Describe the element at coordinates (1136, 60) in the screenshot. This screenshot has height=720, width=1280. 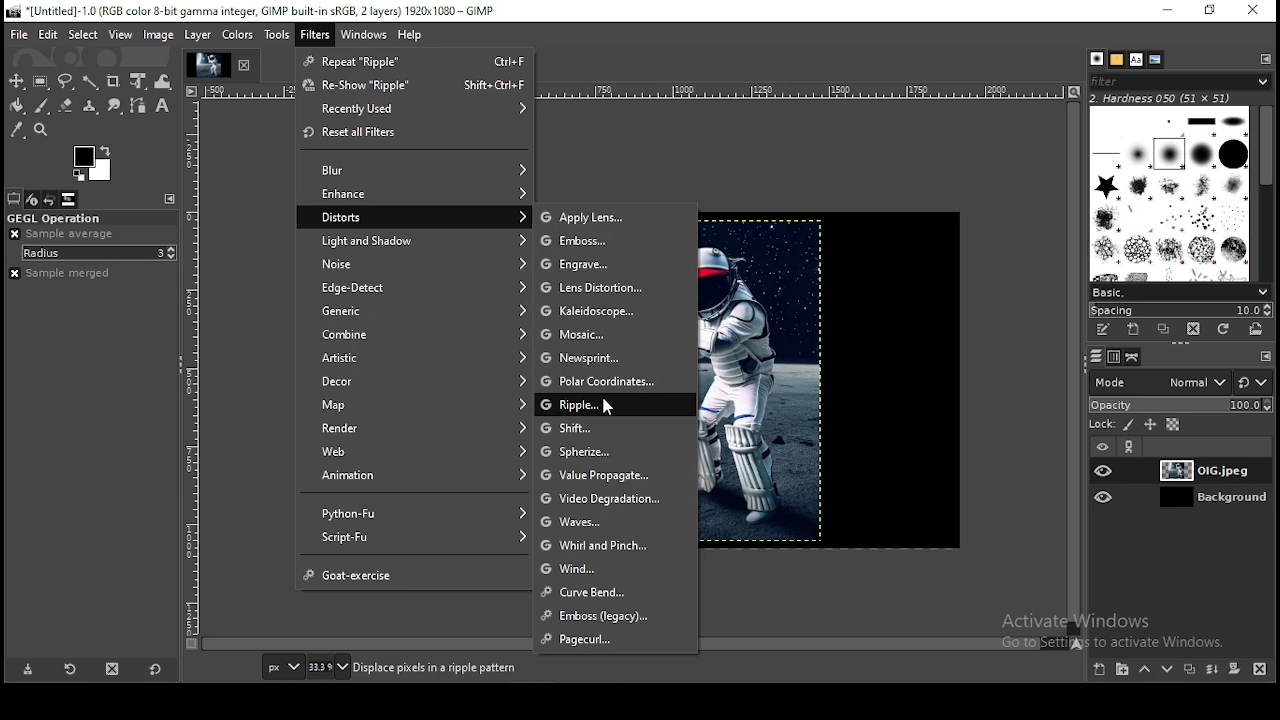
I see `fonts` at that location.